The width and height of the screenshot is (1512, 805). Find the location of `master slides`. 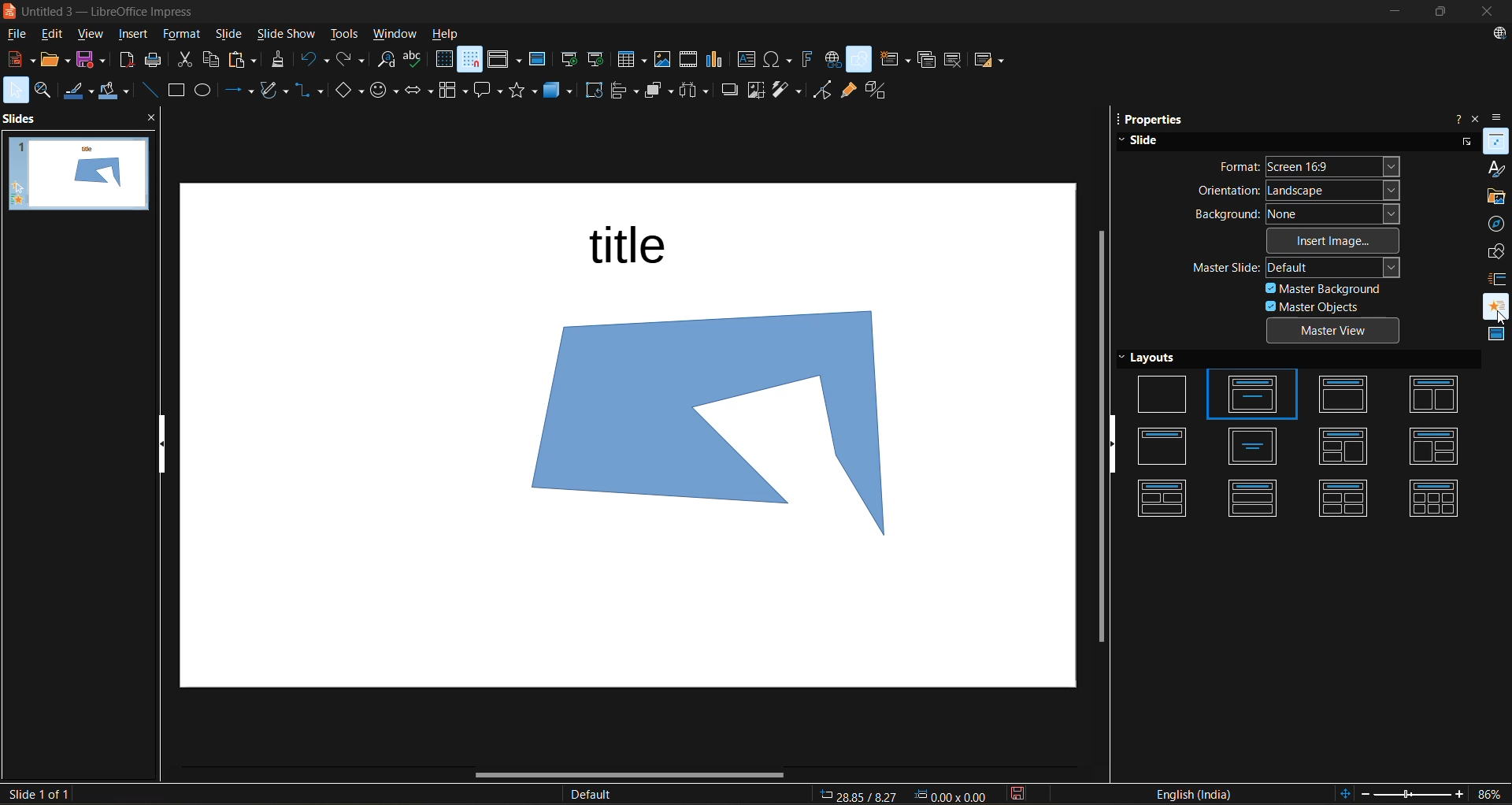

master slides is located at coordinates (1496, 338).